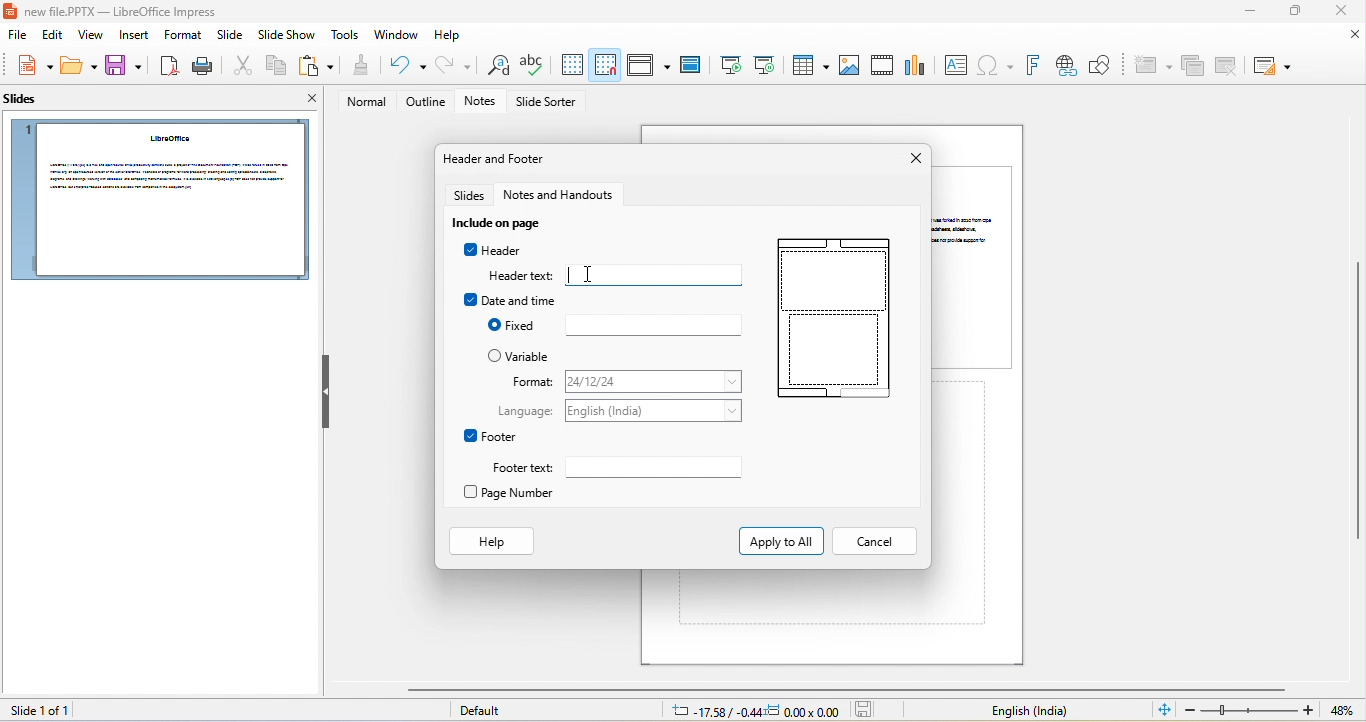  What do you see at coordinates (347, 36) in the screenshot?
I see `tools` at bounding box center [347, 36].